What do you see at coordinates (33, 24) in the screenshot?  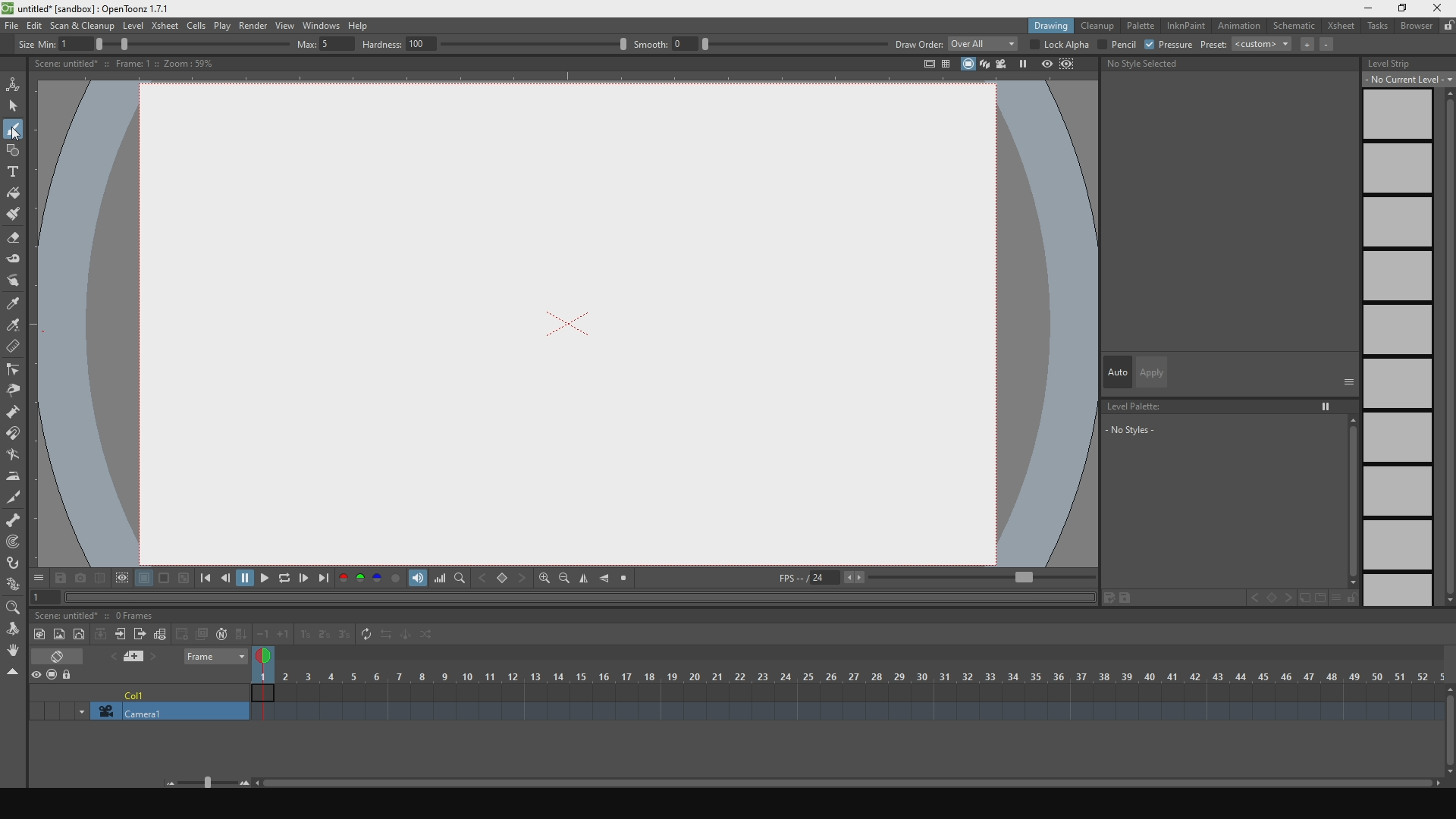 I see `edit` at bounding box center [33, 24].